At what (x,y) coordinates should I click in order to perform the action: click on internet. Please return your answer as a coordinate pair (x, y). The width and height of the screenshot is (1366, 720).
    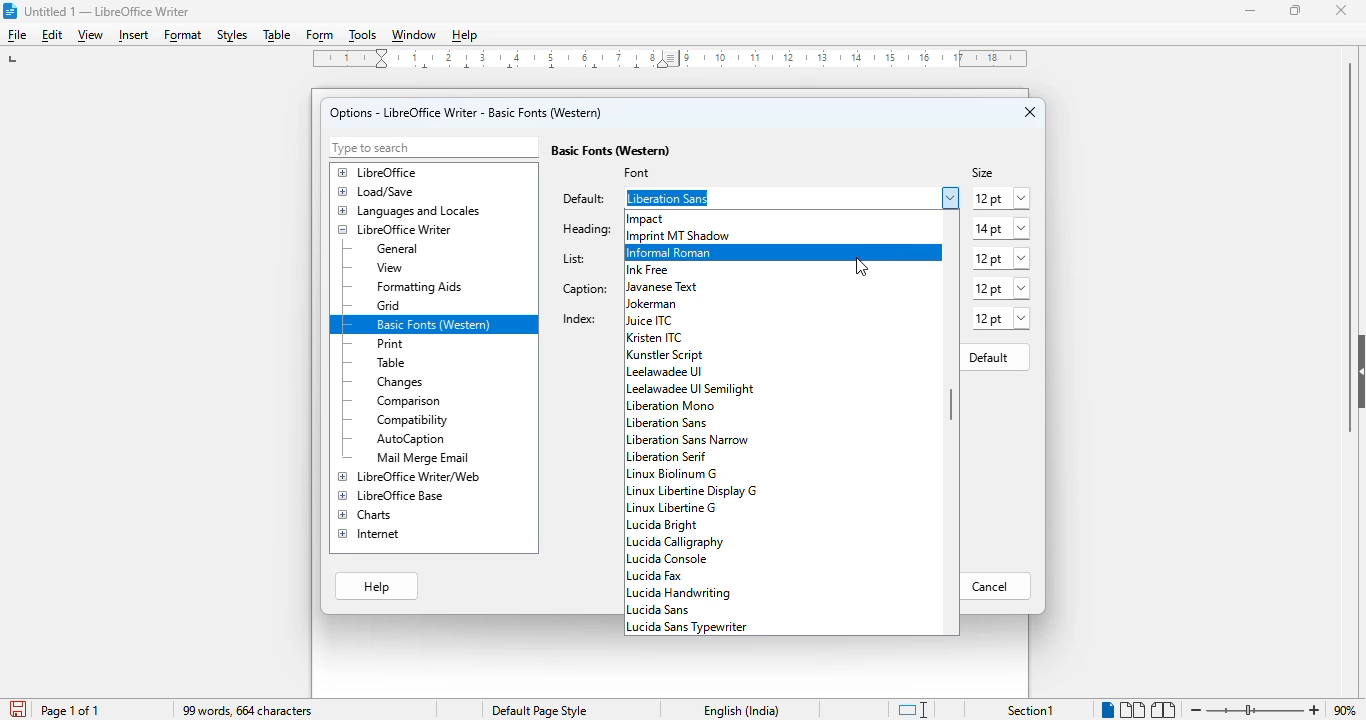
    Looking at the image, I should click on (368, 533).